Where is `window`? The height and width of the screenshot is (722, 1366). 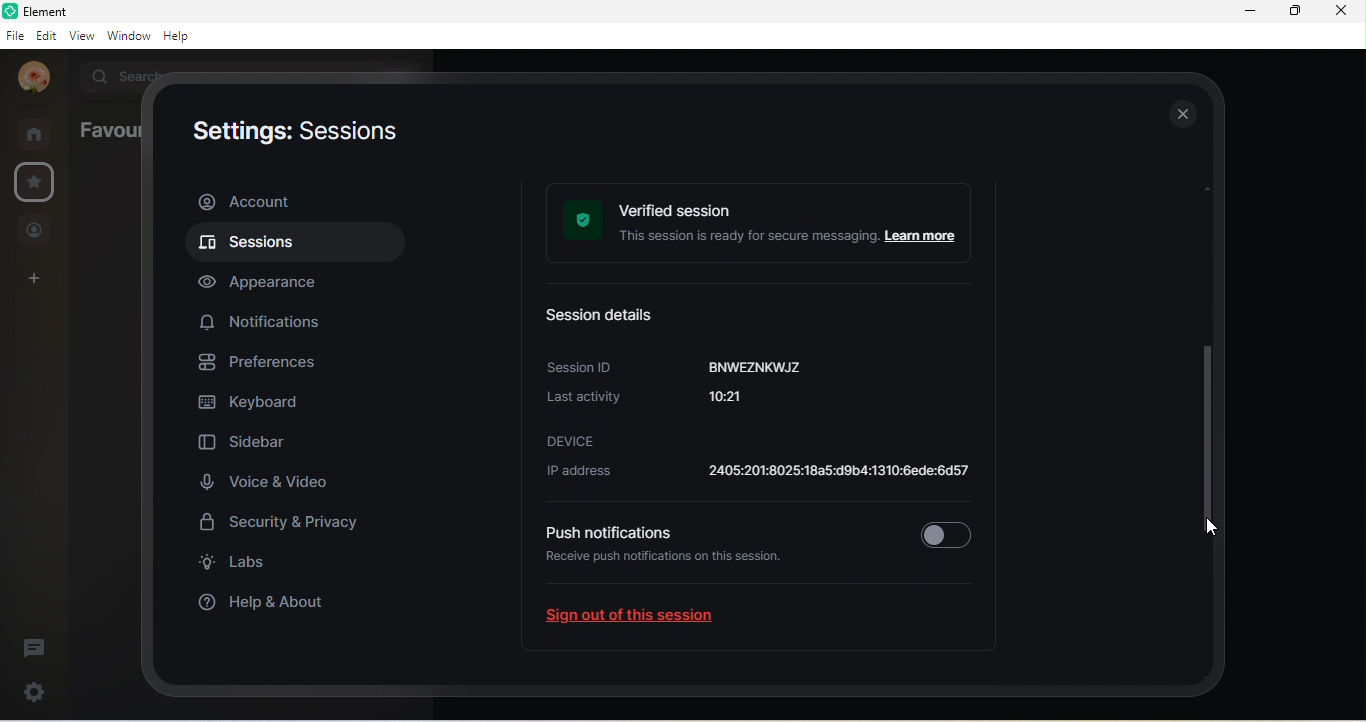 window is located at coordinates (128, 35).